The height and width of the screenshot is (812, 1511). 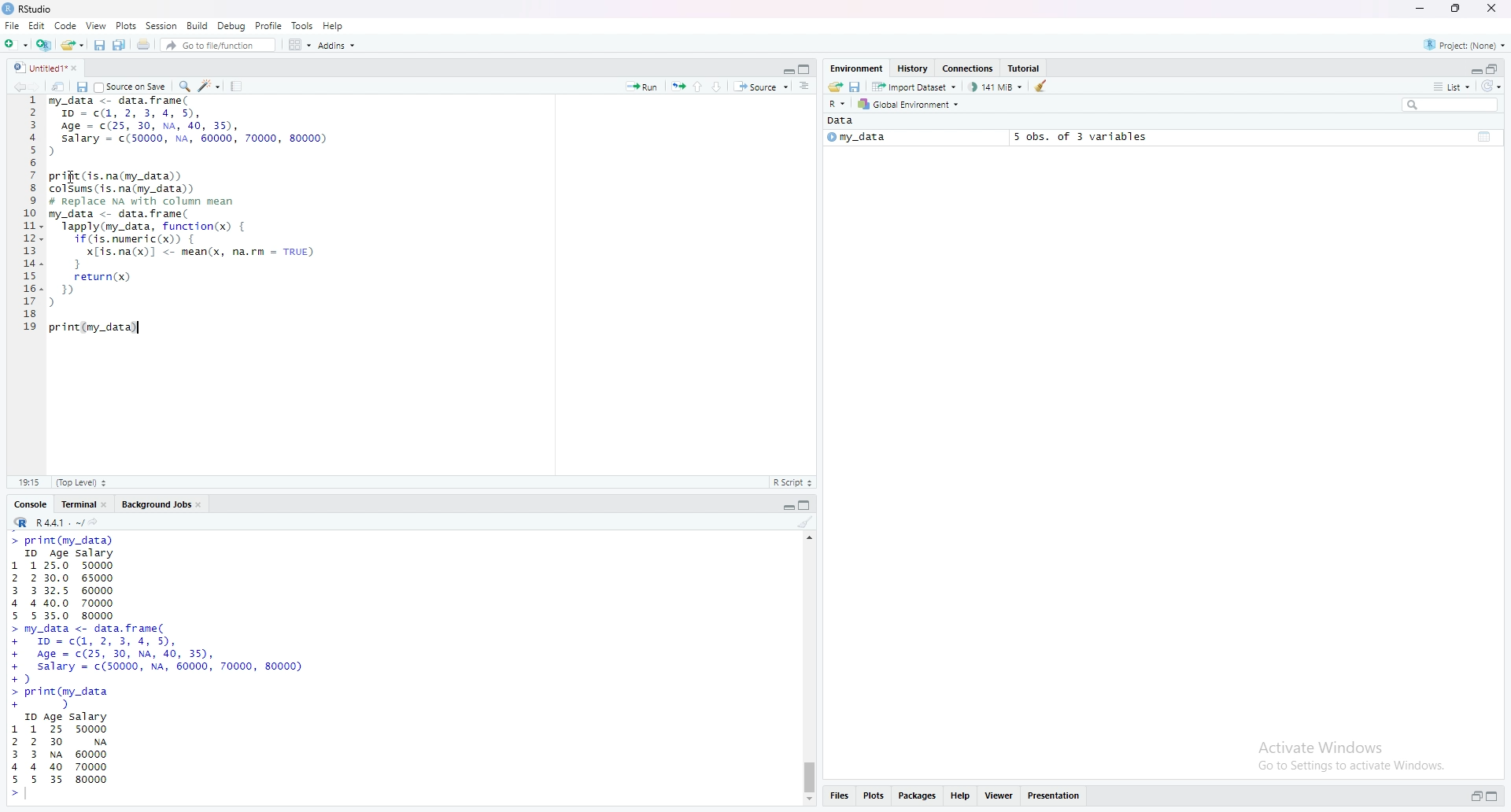 I want to click on rerun the previous code region, so click(x=678, y=87).